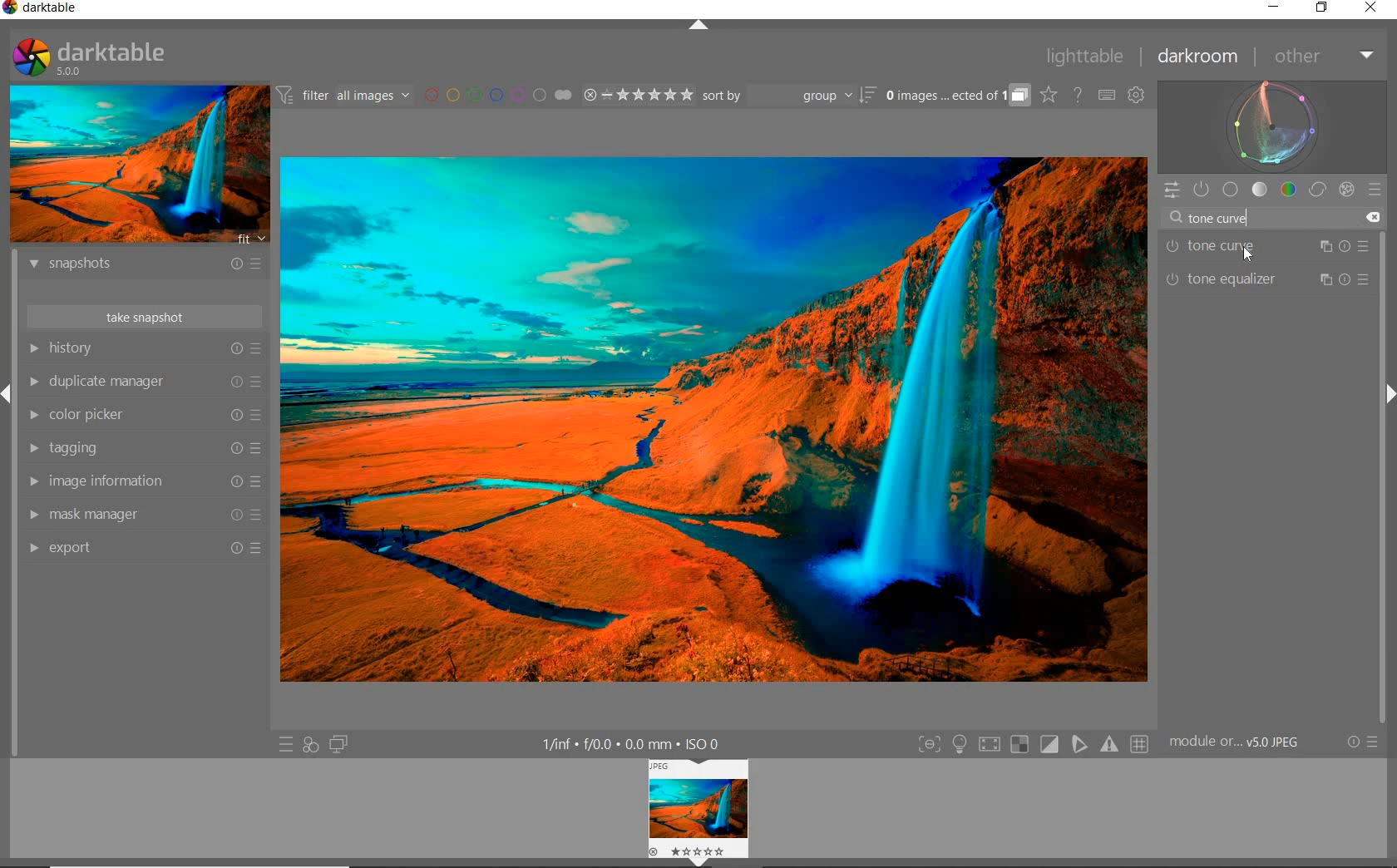  I want to click on Expand/Collapse, so click(704, 862).